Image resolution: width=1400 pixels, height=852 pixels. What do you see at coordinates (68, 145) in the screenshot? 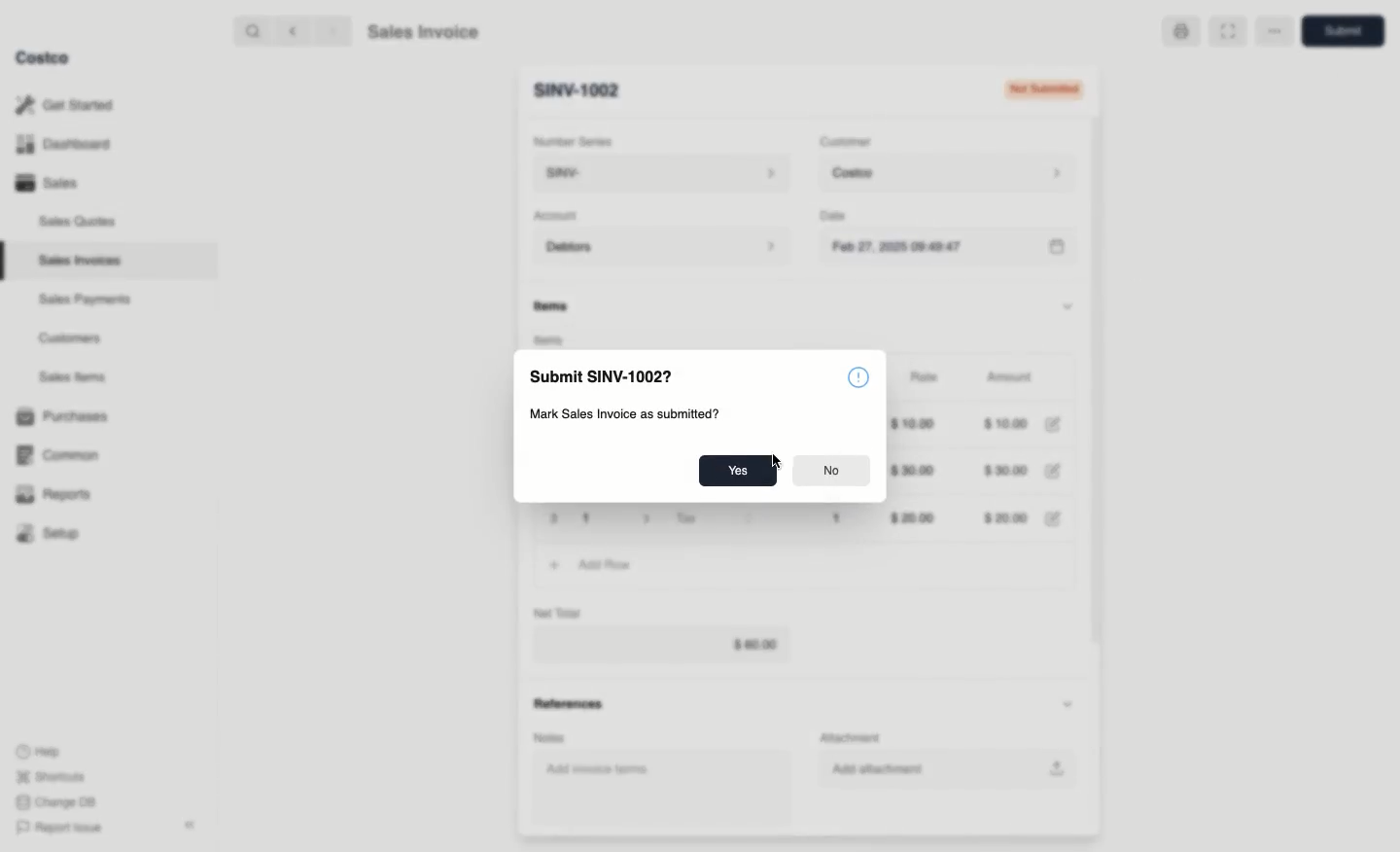
I see `Dashboard` at bounding box center [68, 145].